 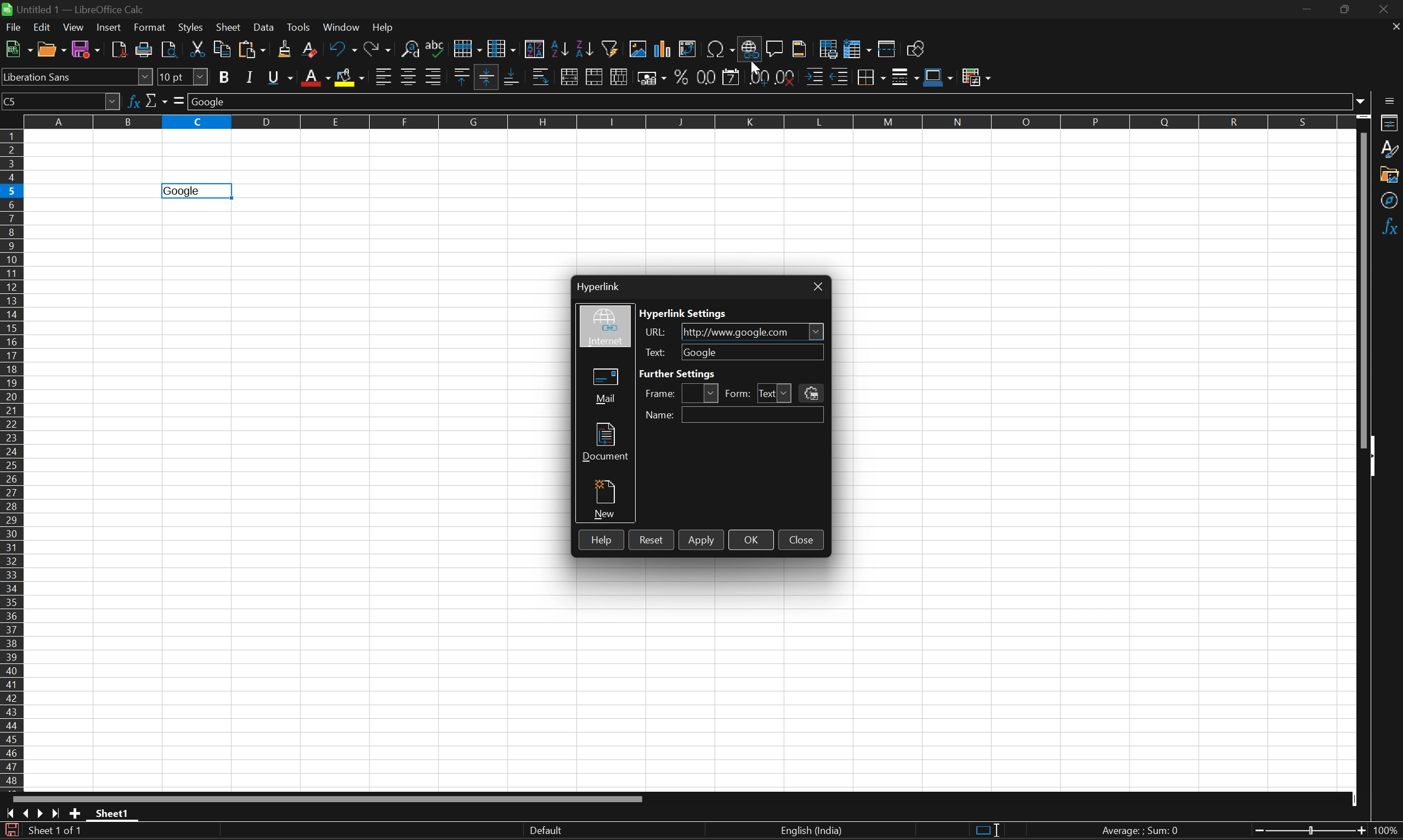 I want to click on Scroll bar, so click(x=1363, y=288).